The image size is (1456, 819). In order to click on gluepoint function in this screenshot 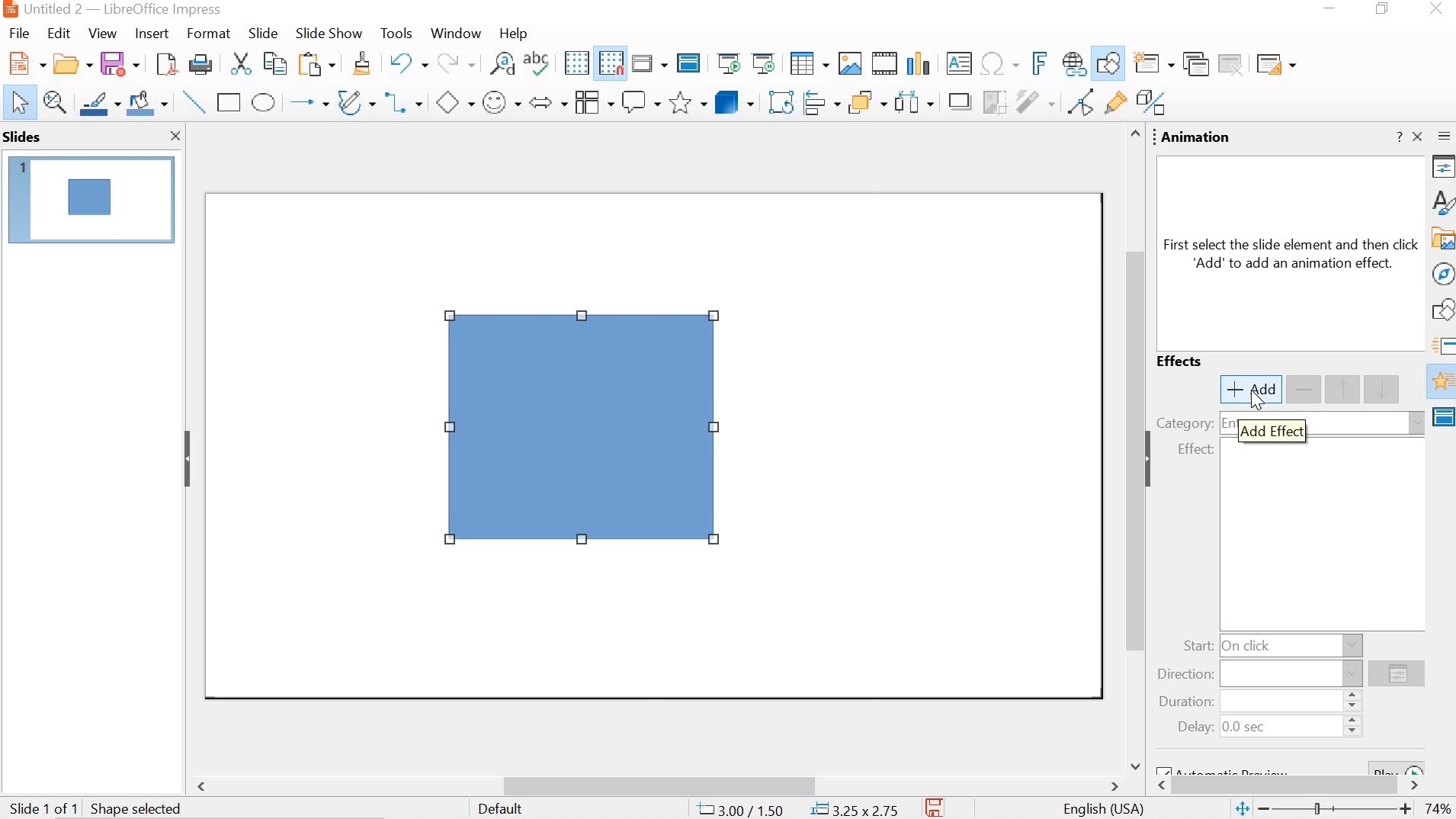, I will do `click(1114, 102)`.